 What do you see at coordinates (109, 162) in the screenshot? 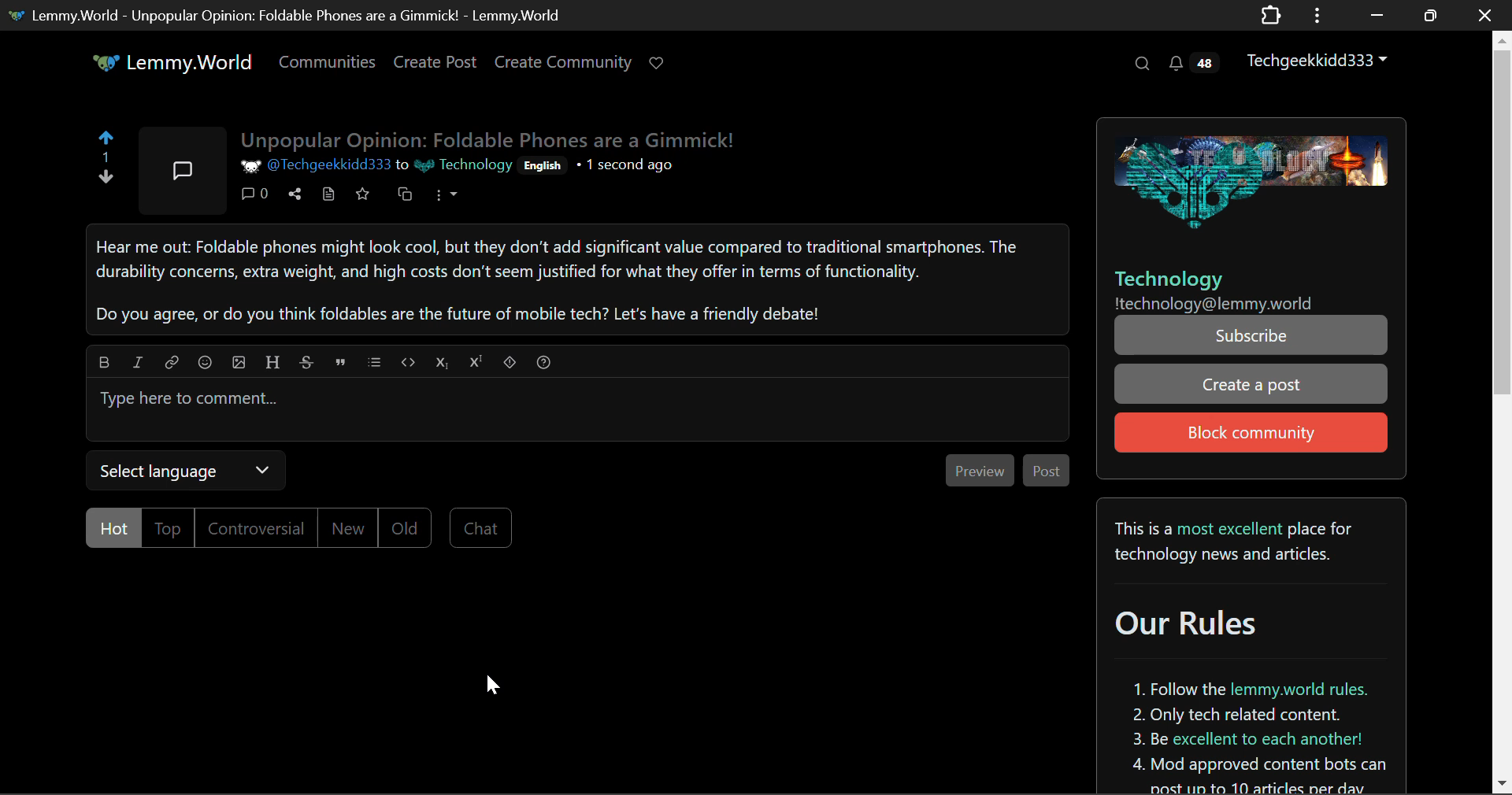
I see `Post Votes Counter` at bounding box center [109, 162].